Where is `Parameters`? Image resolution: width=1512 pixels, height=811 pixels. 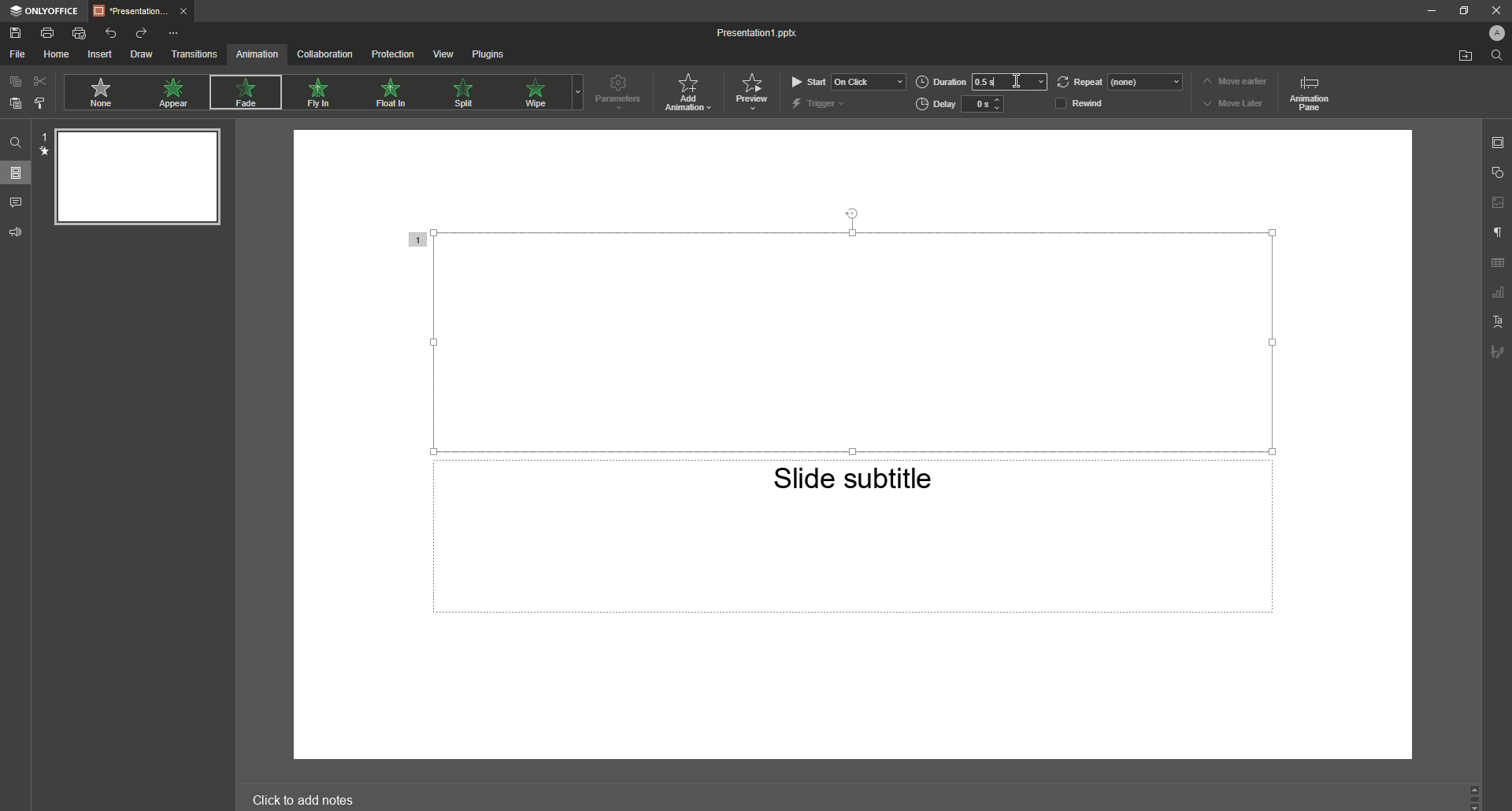
Parameters is located at coordinates (617, 91).